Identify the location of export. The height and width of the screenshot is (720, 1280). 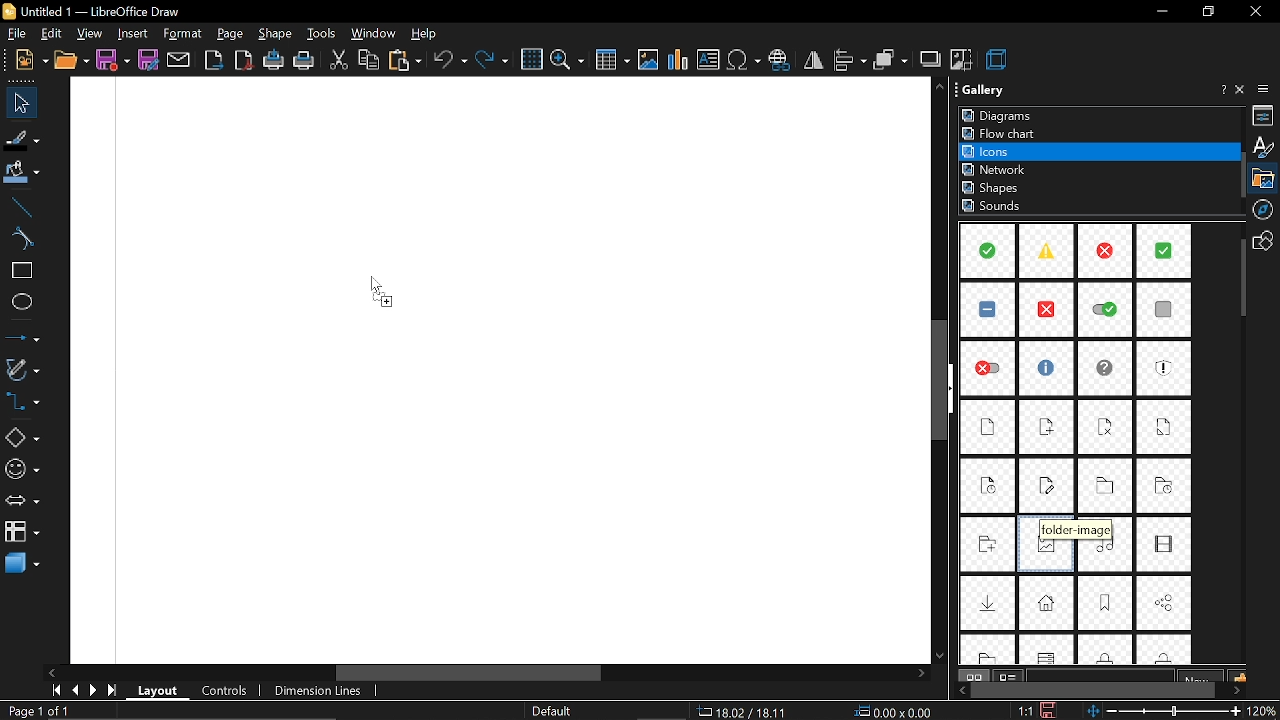
(214, 60).